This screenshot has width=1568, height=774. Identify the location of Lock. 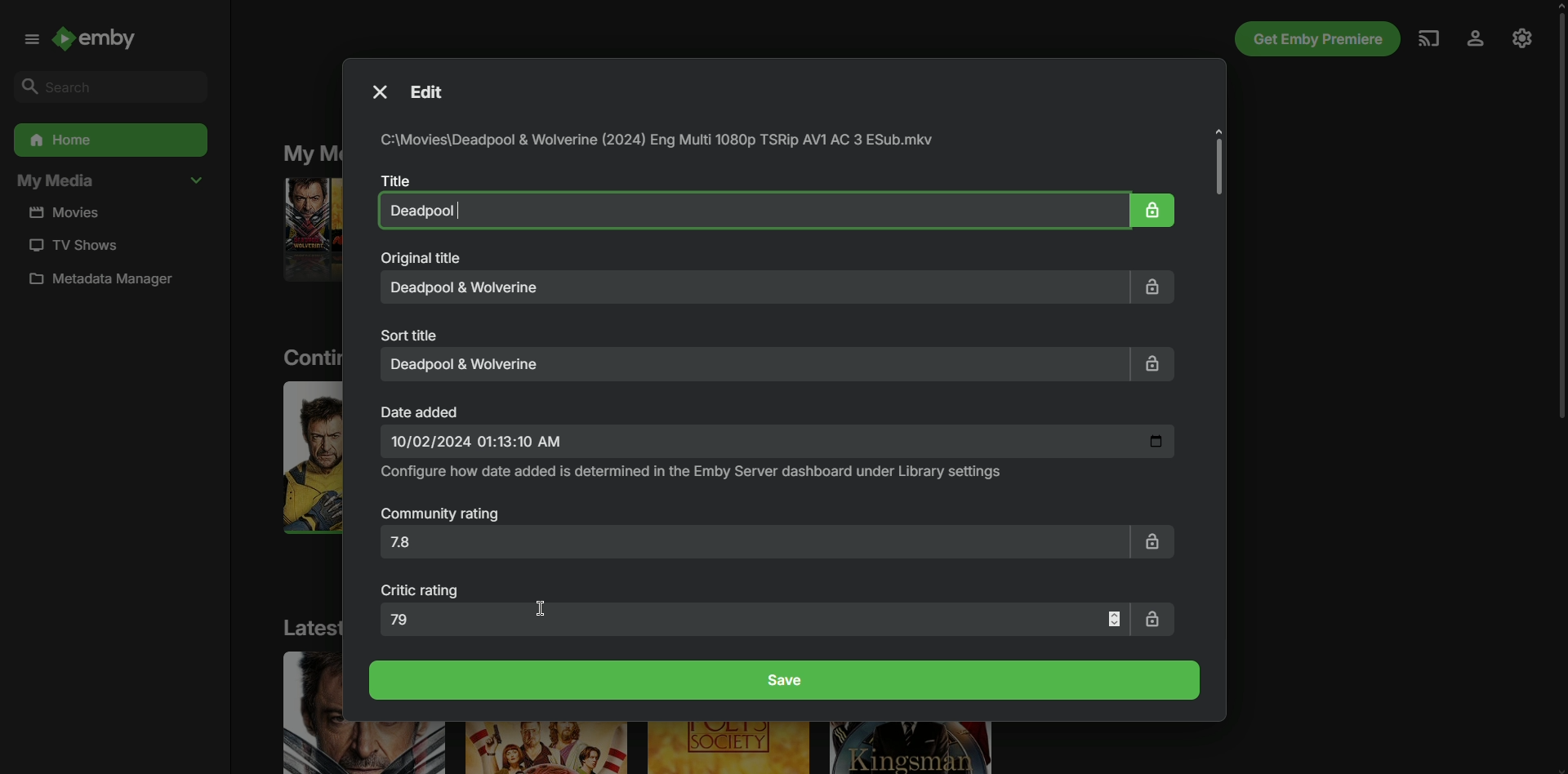
(1152, 366).